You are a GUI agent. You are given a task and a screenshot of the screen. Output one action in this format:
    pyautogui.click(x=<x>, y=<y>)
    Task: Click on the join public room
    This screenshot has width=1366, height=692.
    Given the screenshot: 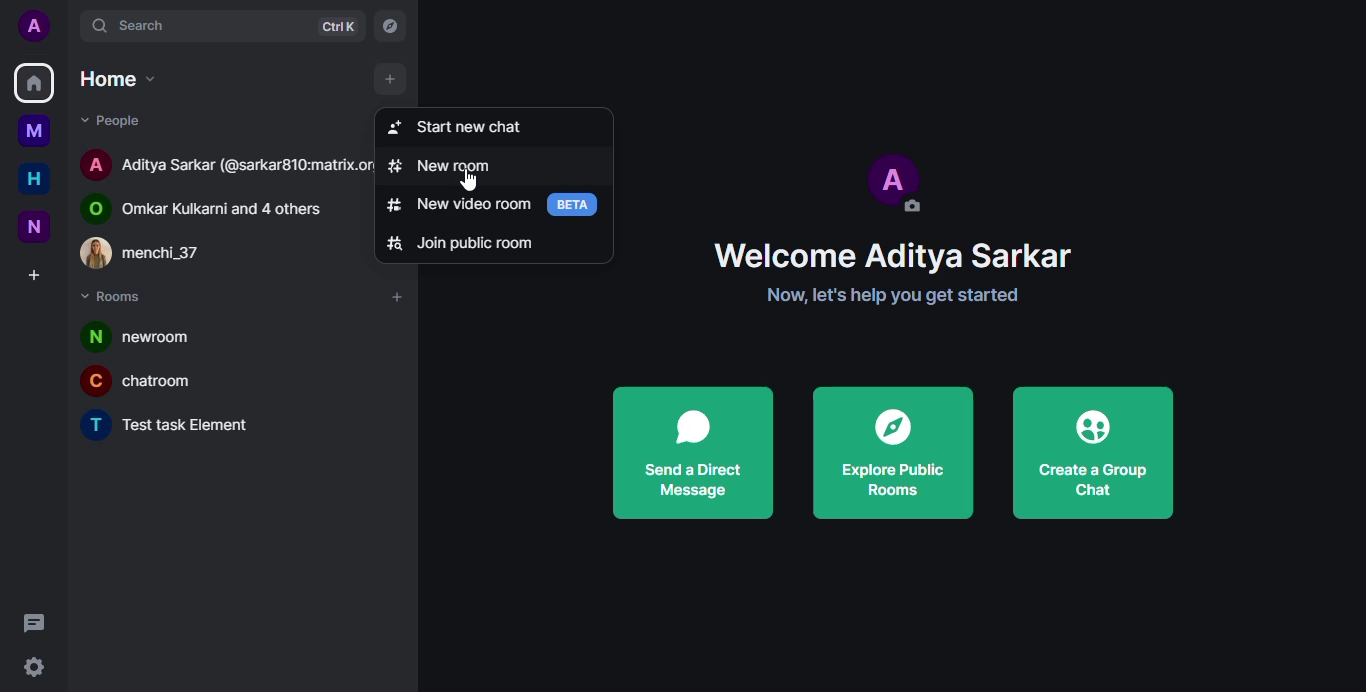 What is the action you would take?
    pyautogui.click(x=465, y=241)
    